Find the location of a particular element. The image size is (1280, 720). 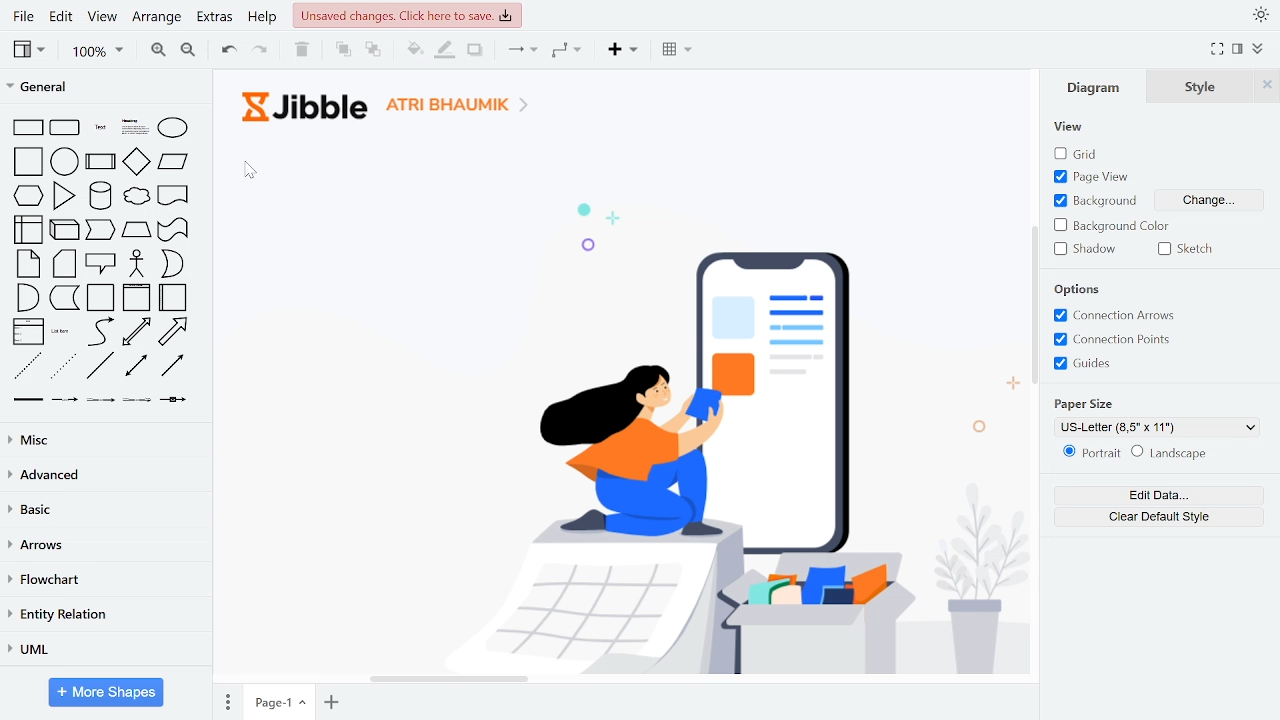

style is located at coordinates (1206, 86).